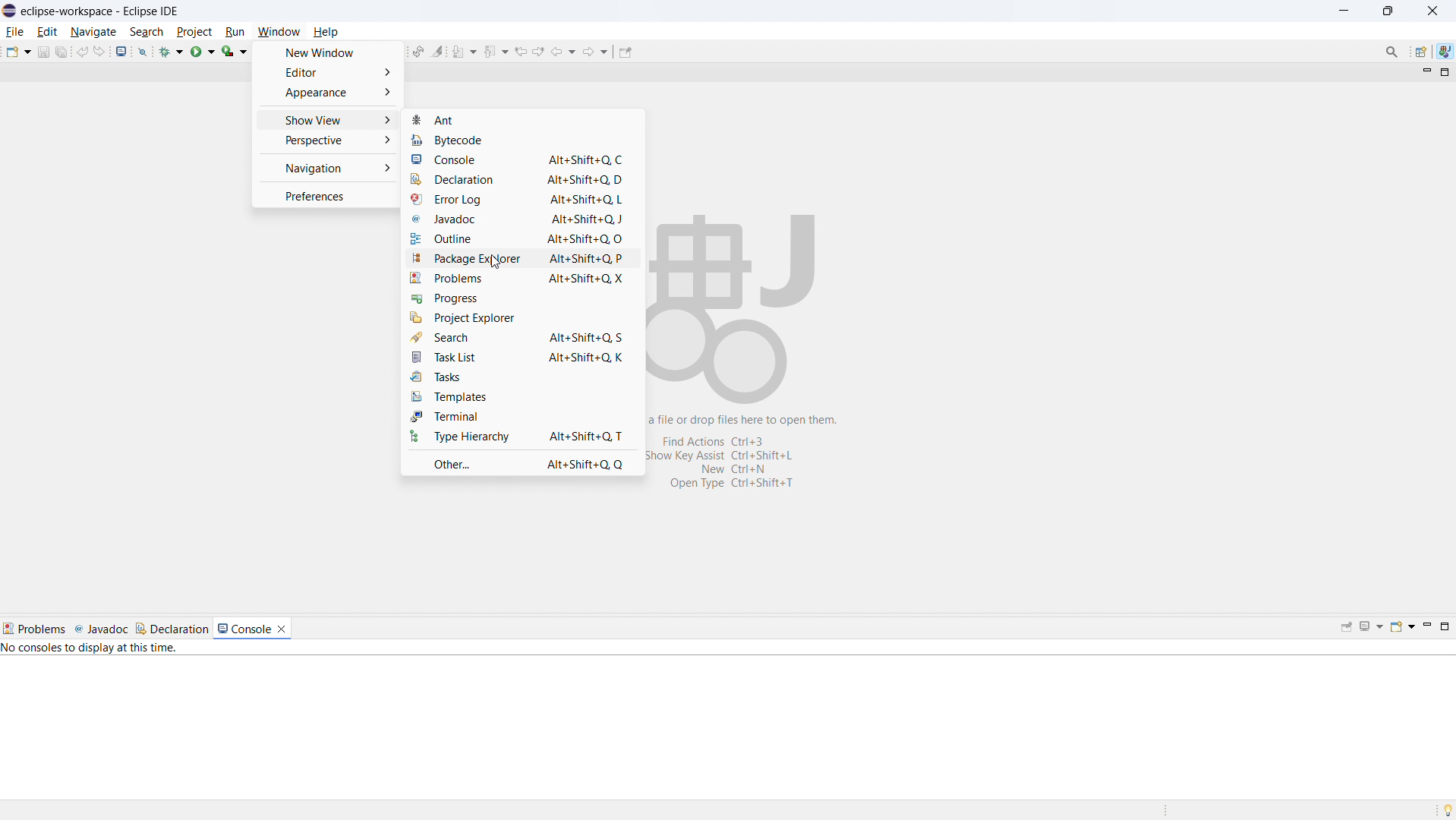  Describe the element at coordinates (93, 31) in the screenshot. I see `navigate` at that location.